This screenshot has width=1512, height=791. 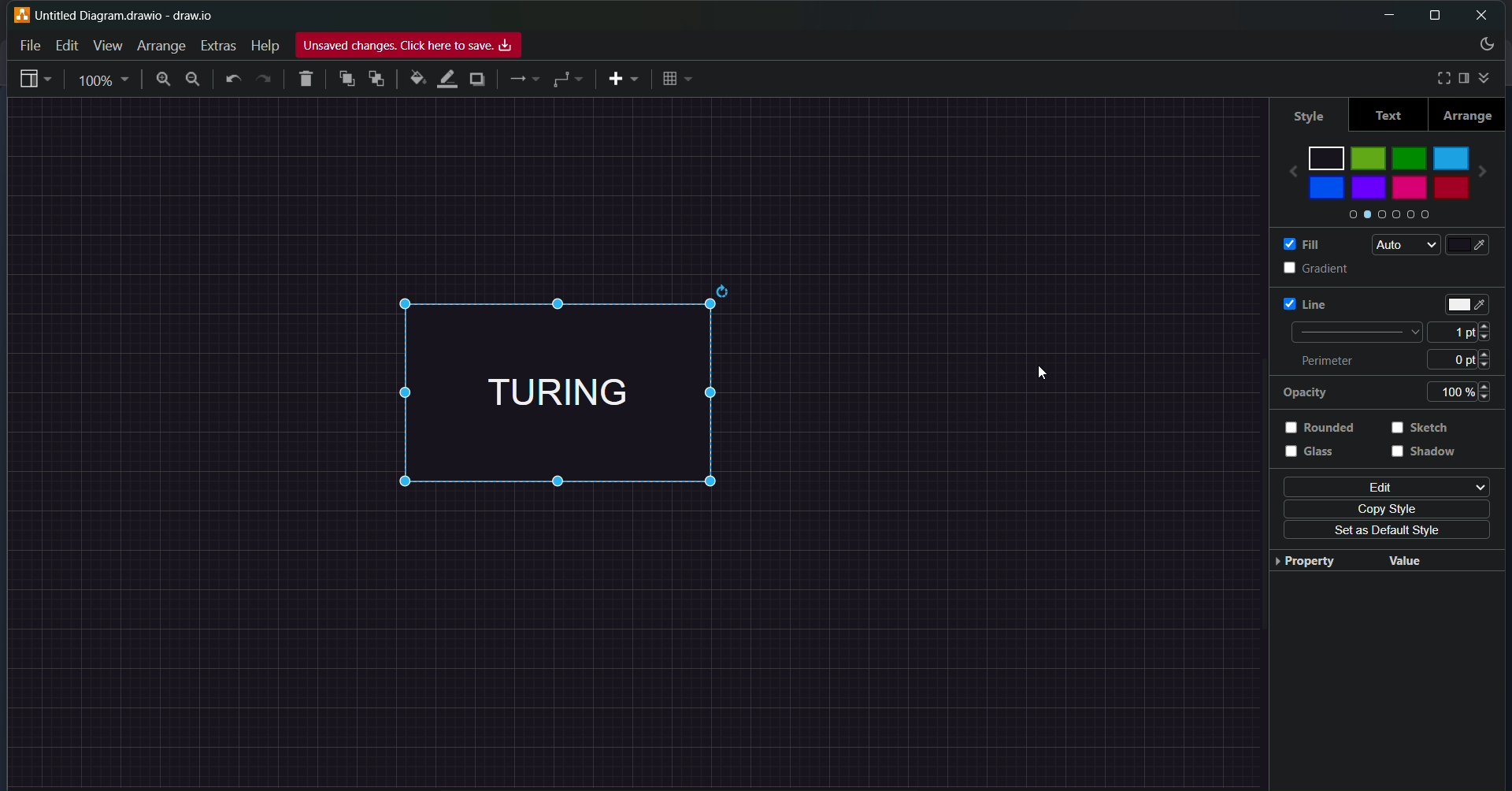 What do you see at coordinates (1469, 115) in the screenshot?
I see `arrange` at bounding box center [1469, 115].